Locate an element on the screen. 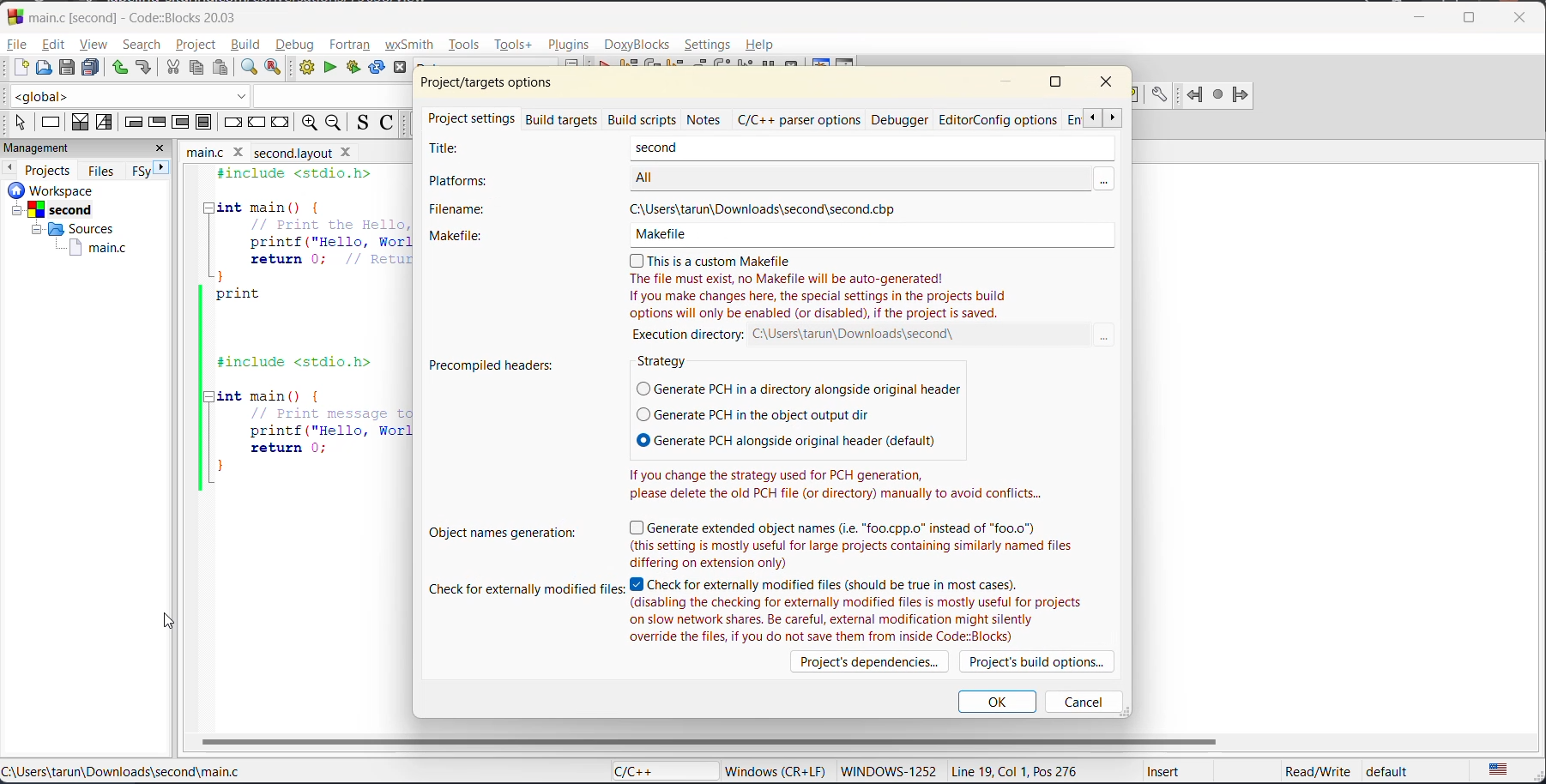 This screenshot has height=784, width=1546. debug is located at coordinates (297, 44).